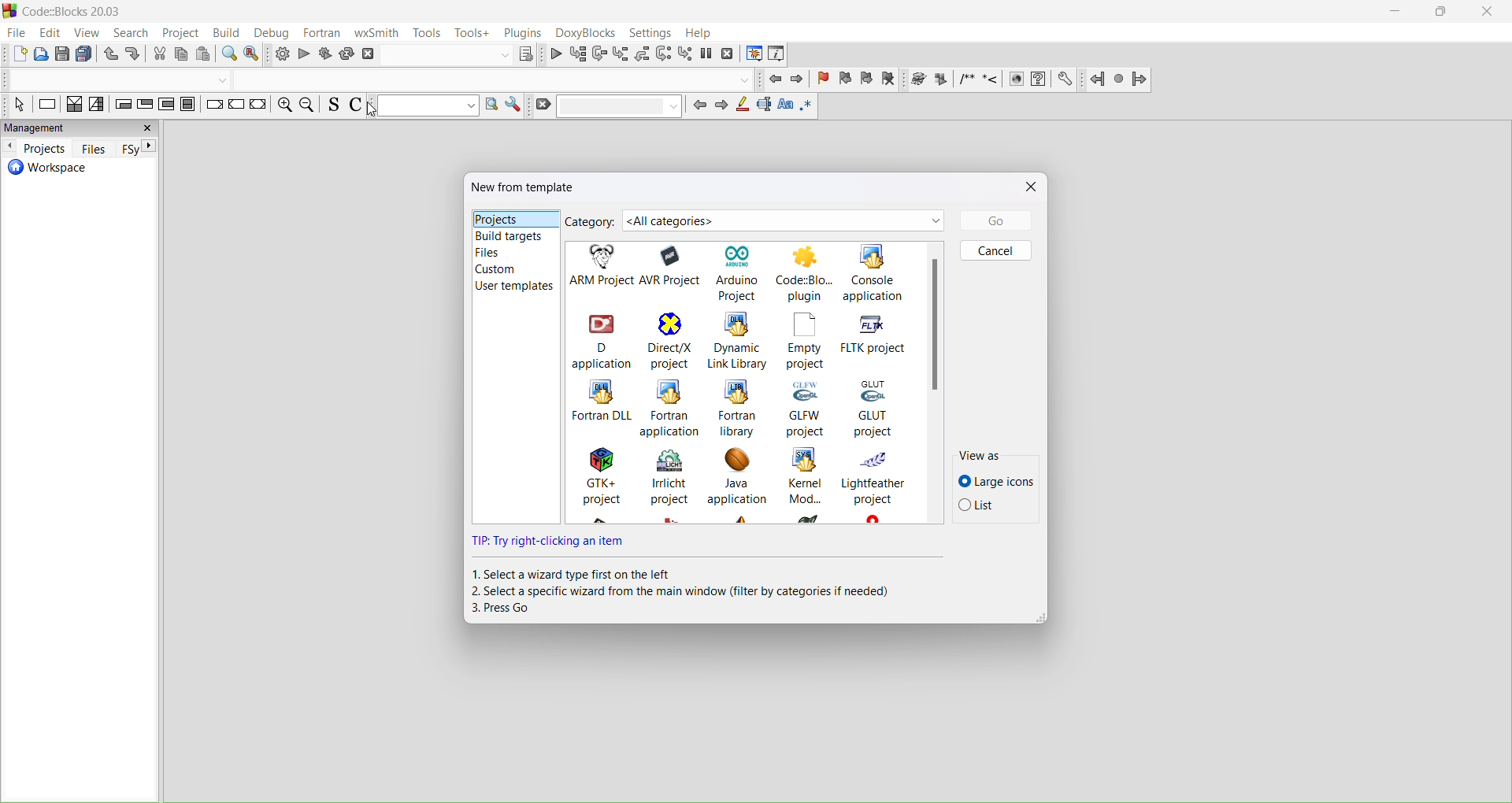 Image resolution: width=1512 pixels, height=803 pixels. Describe the element at coordinates (372, 111) in the screenshot. I see `Cursor` at that location.